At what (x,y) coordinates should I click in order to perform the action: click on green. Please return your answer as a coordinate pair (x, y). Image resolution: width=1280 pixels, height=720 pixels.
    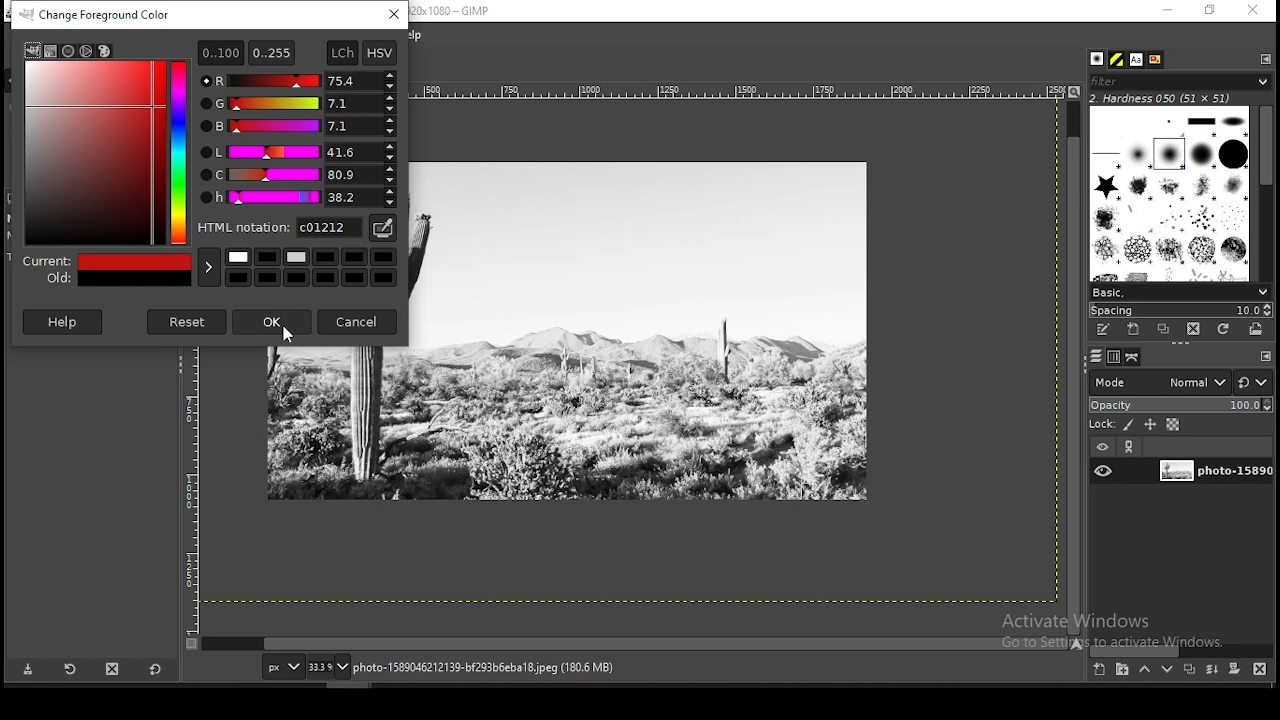
    Looking at the image, I should click on (298, 103).